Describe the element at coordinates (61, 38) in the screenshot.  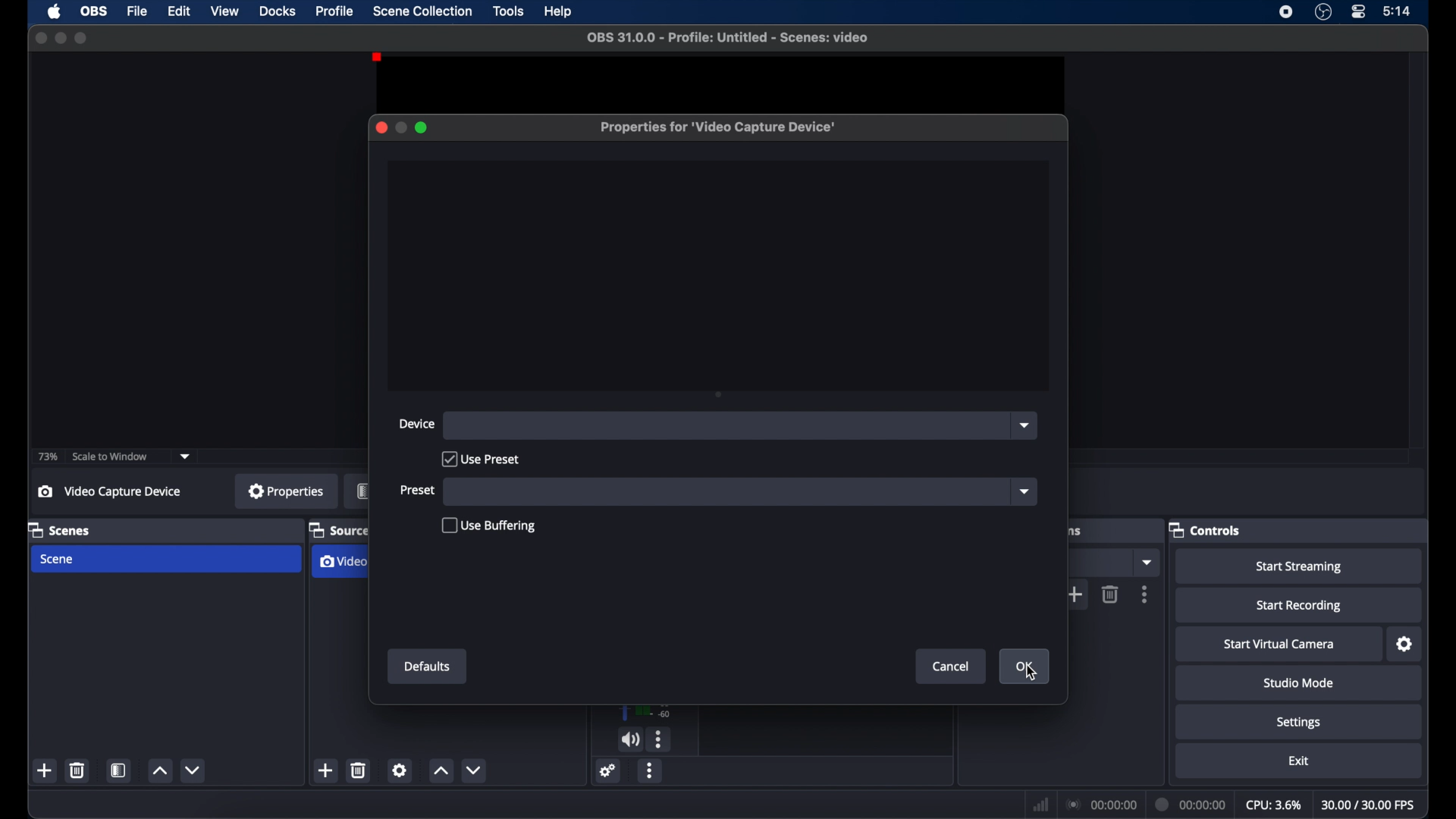
I see `minimize` at that location.